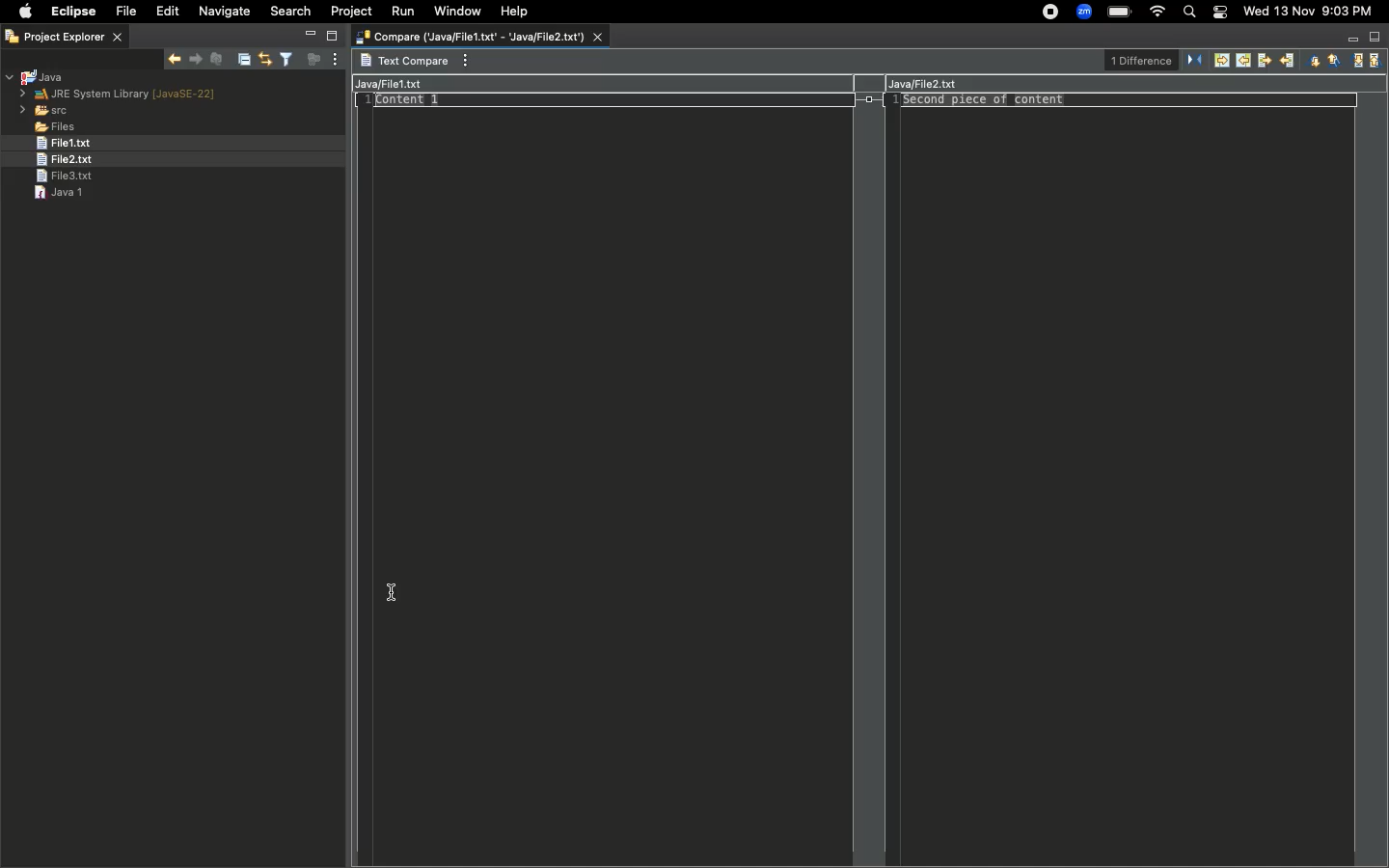 The image size is (1389, 868). What do you see at coordinates (1189, 13) in the screenshot?
I see `Search` at bounding box center [1189, 13].